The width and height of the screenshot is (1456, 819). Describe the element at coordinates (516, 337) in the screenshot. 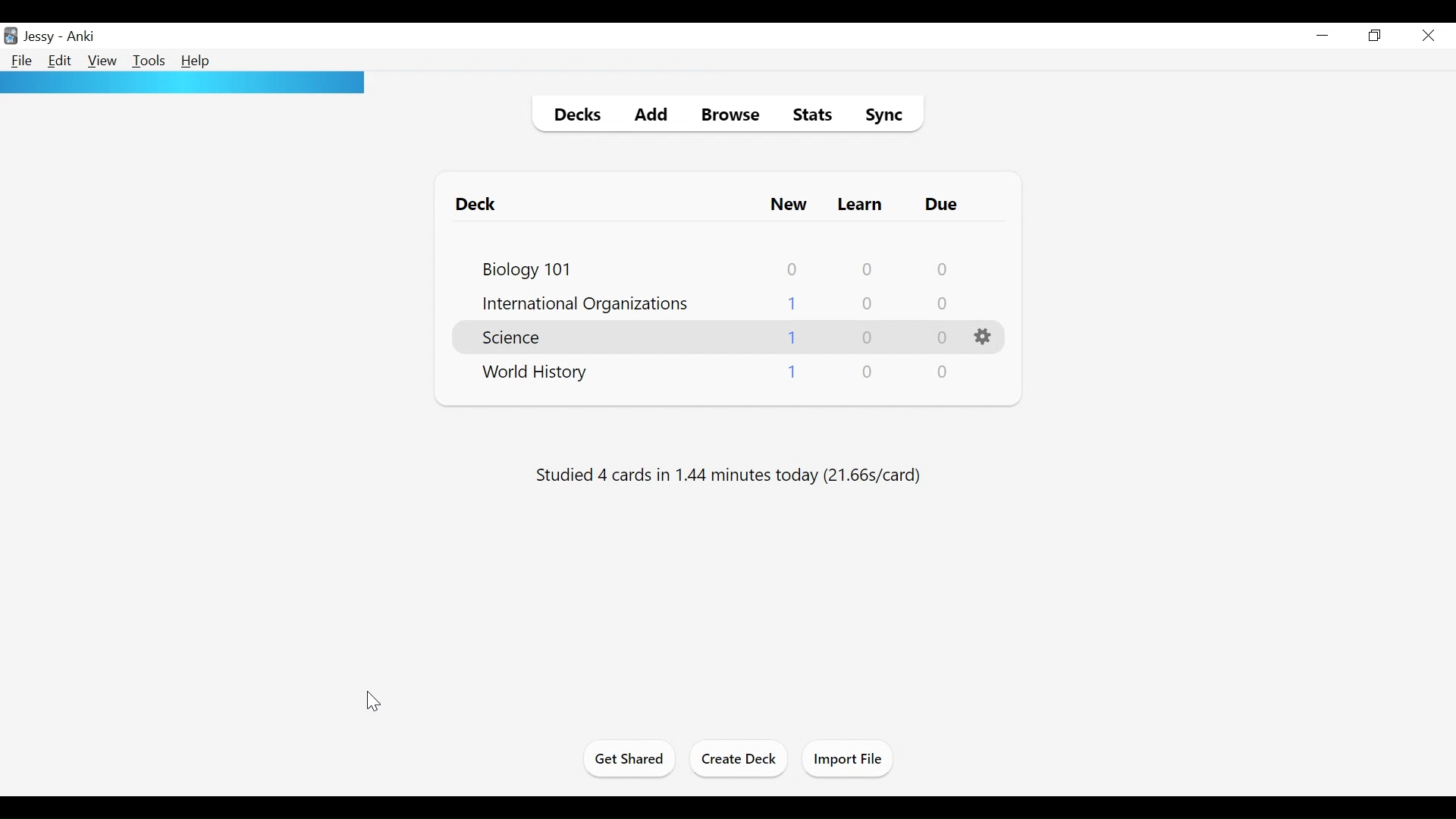

I see `Deck Name` at that location.